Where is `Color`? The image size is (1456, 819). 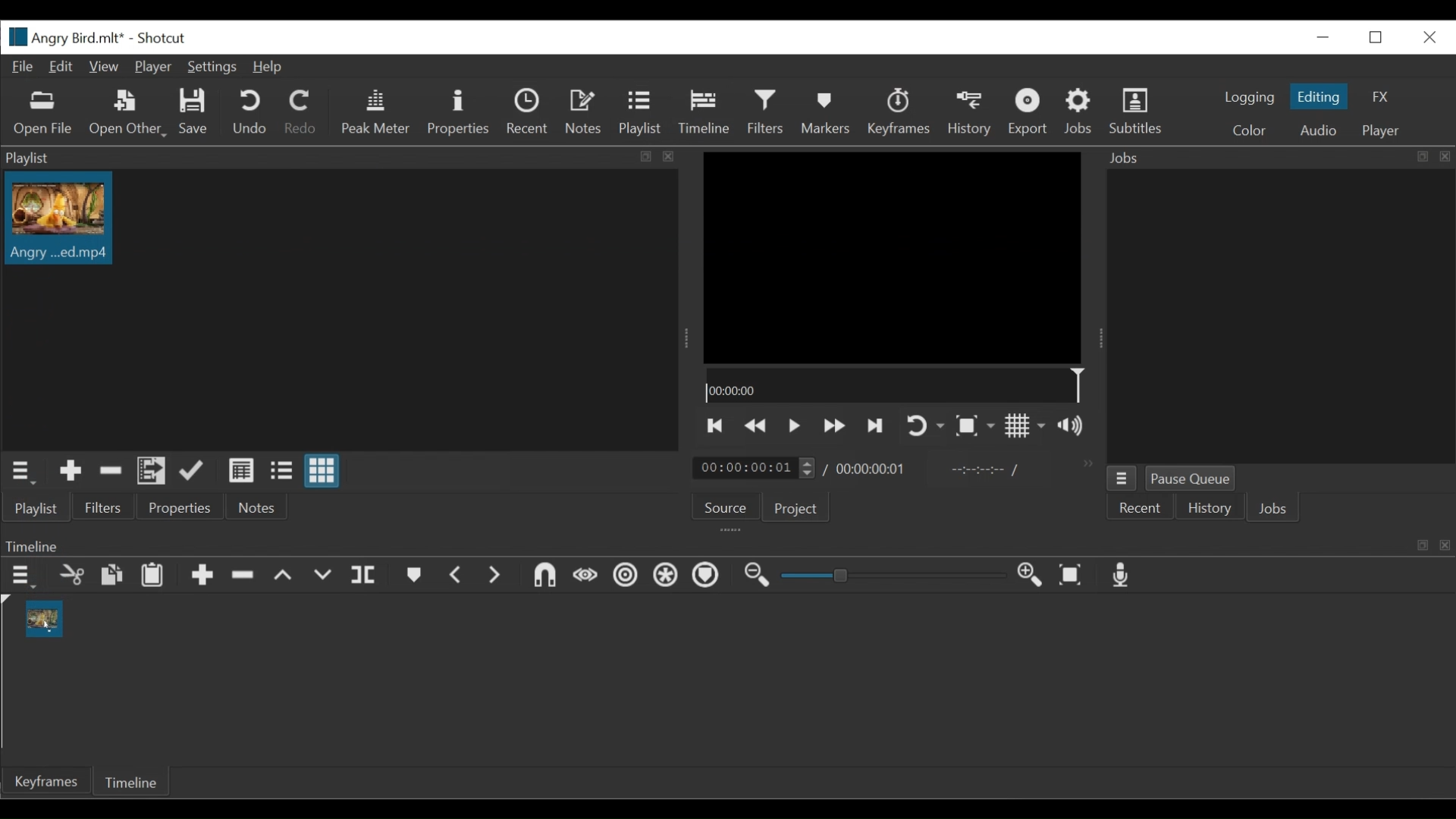
Color is located at coordinates (1249, 129).